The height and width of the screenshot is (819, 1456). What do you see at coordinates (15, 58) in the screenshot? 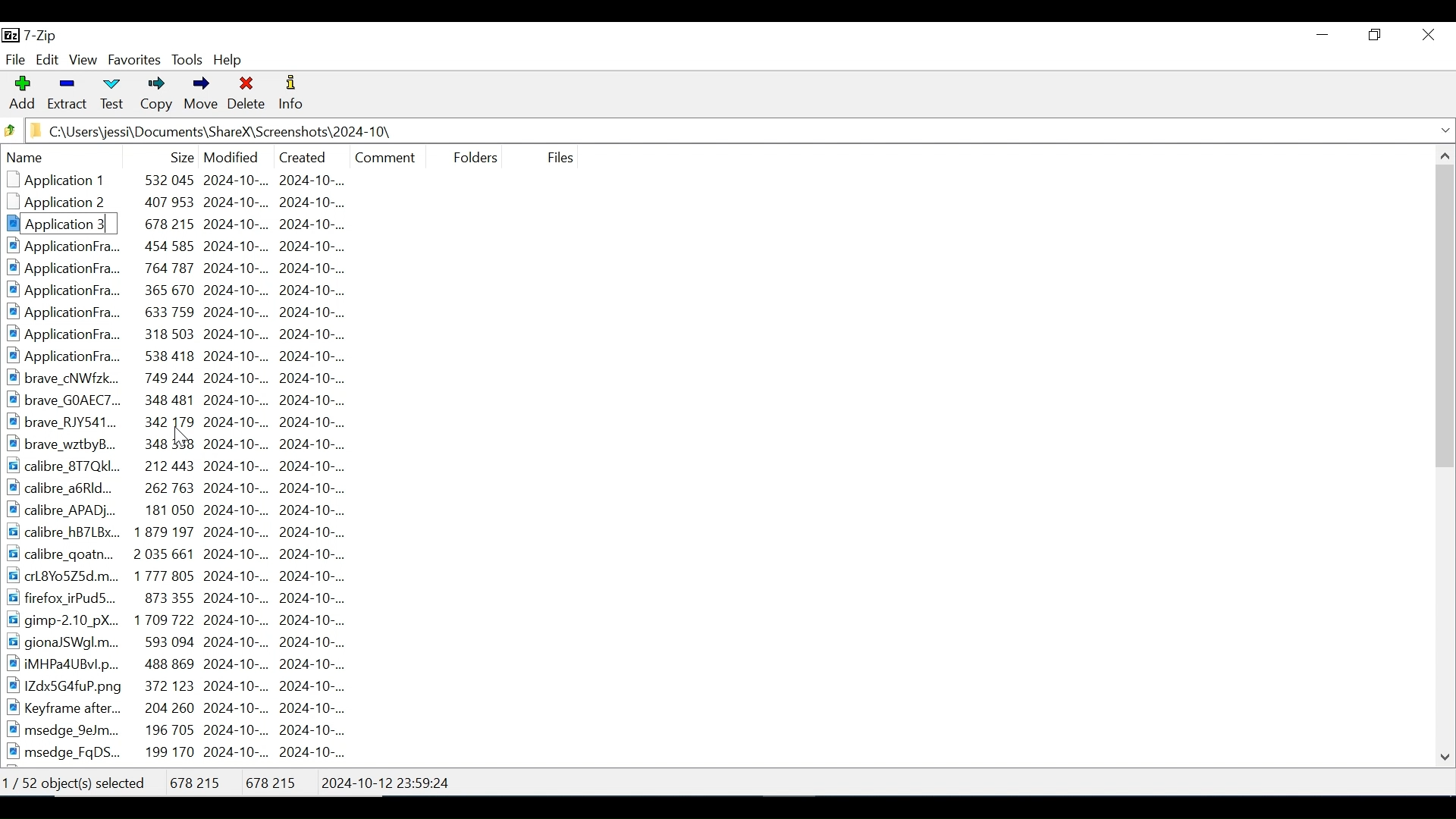
I see `File` at bounding box center [15, 58].